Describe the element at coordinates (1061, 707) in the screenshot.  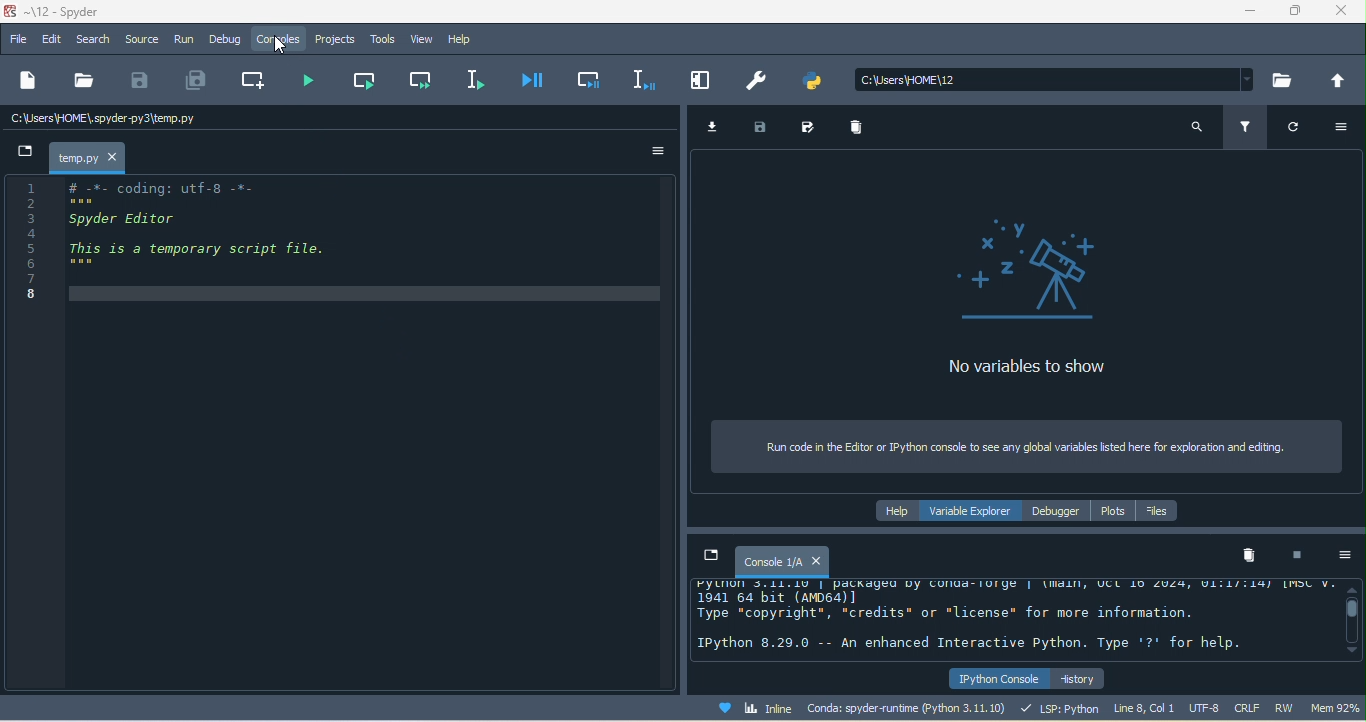
I see `lsp python` at that location.